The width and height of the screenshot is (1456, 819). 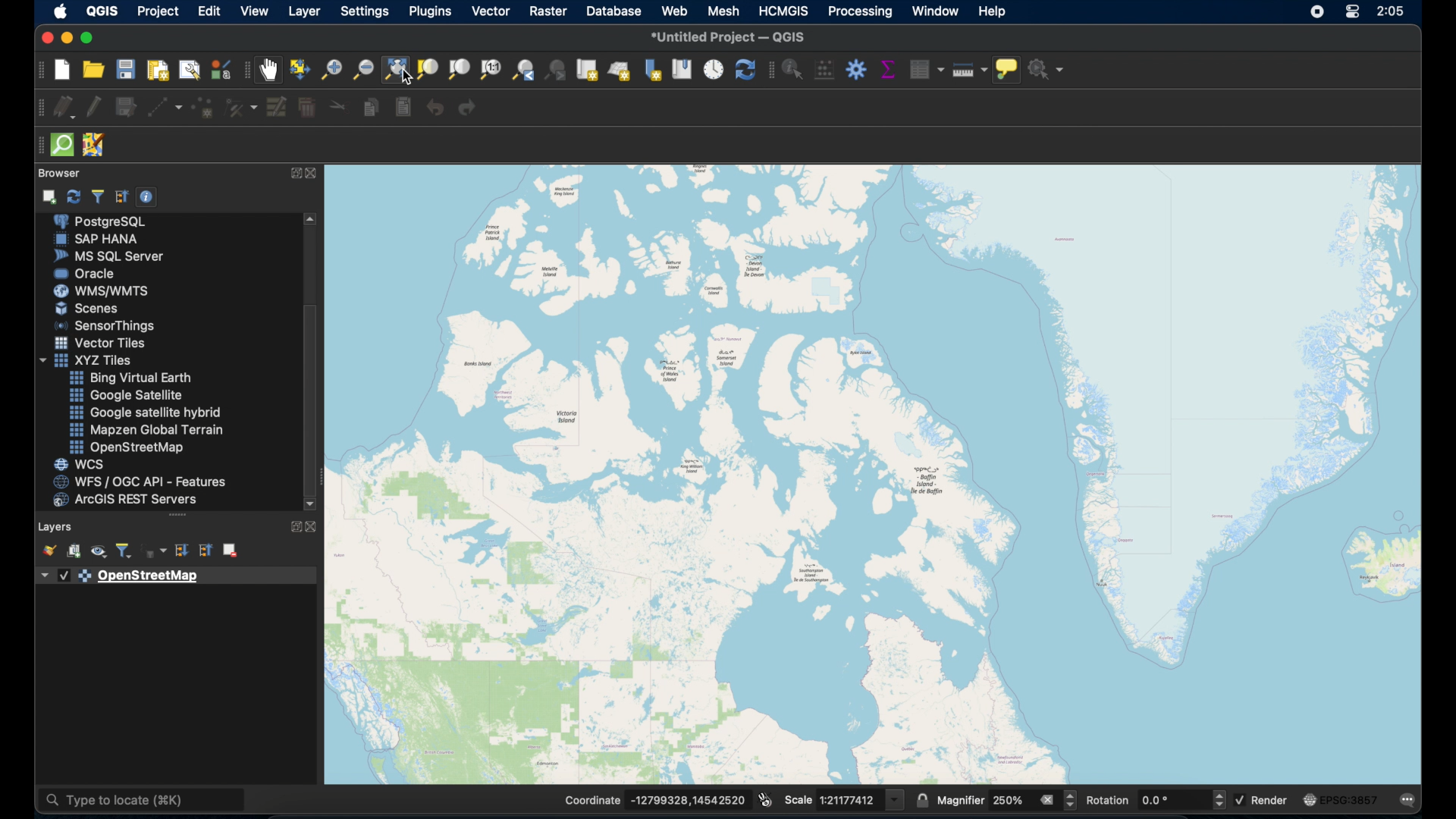 I want to click on screen recorder icon, so click(x=1317, y=12).